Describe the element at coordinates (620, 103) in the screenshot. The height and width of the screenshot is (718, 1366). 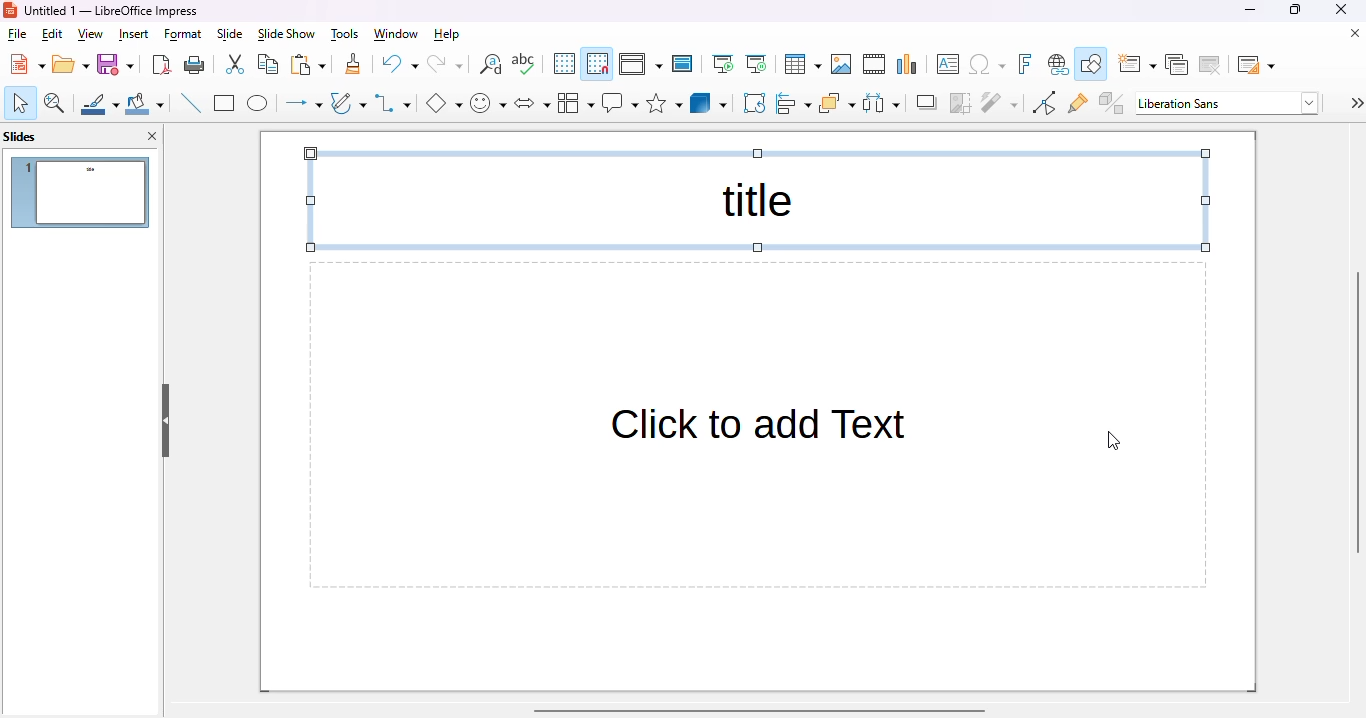
I see `callout shapes` at that location.